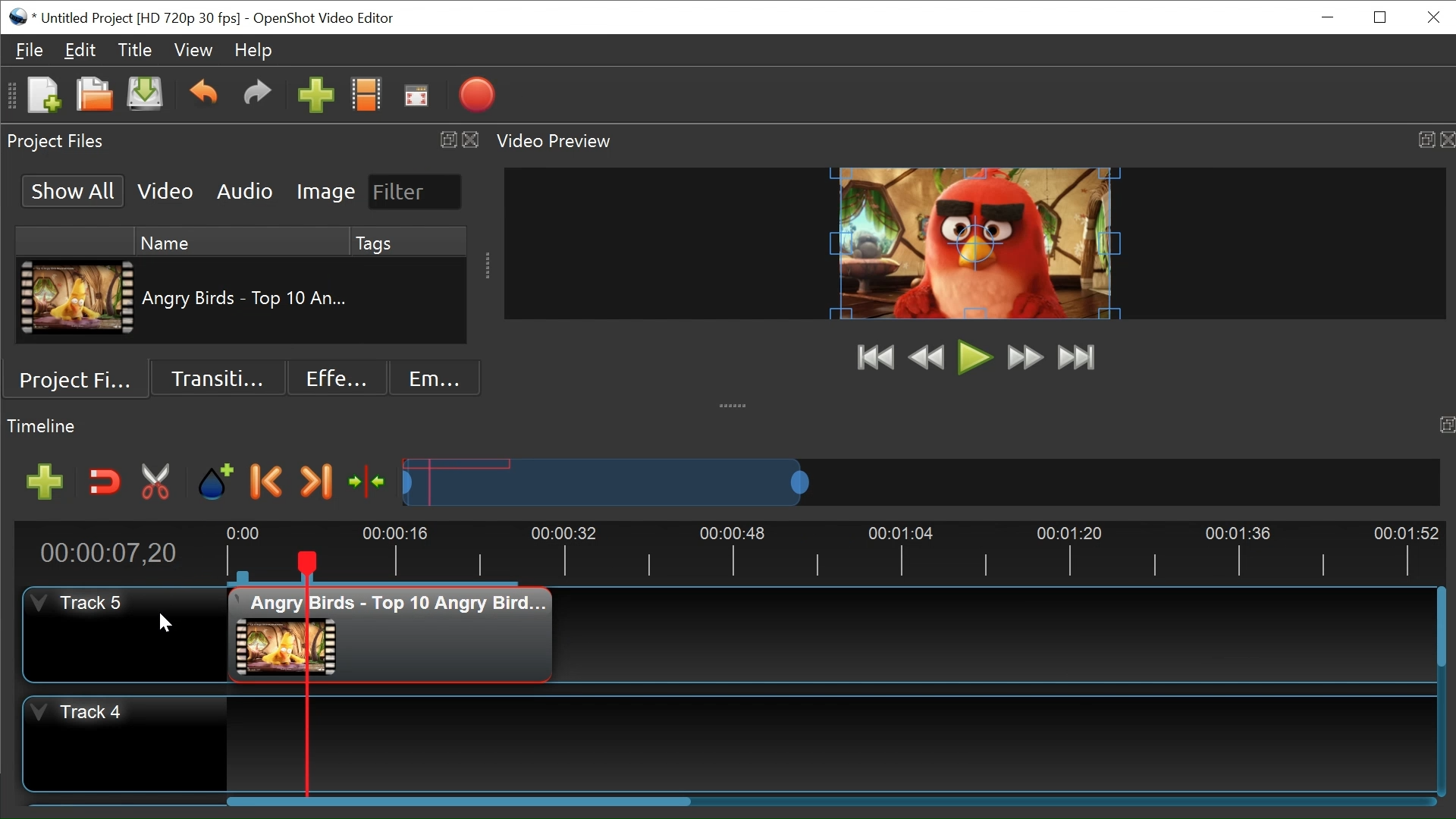 This screenshot has width=1456, height=819. I want to click on Save File, so click(145, 97).